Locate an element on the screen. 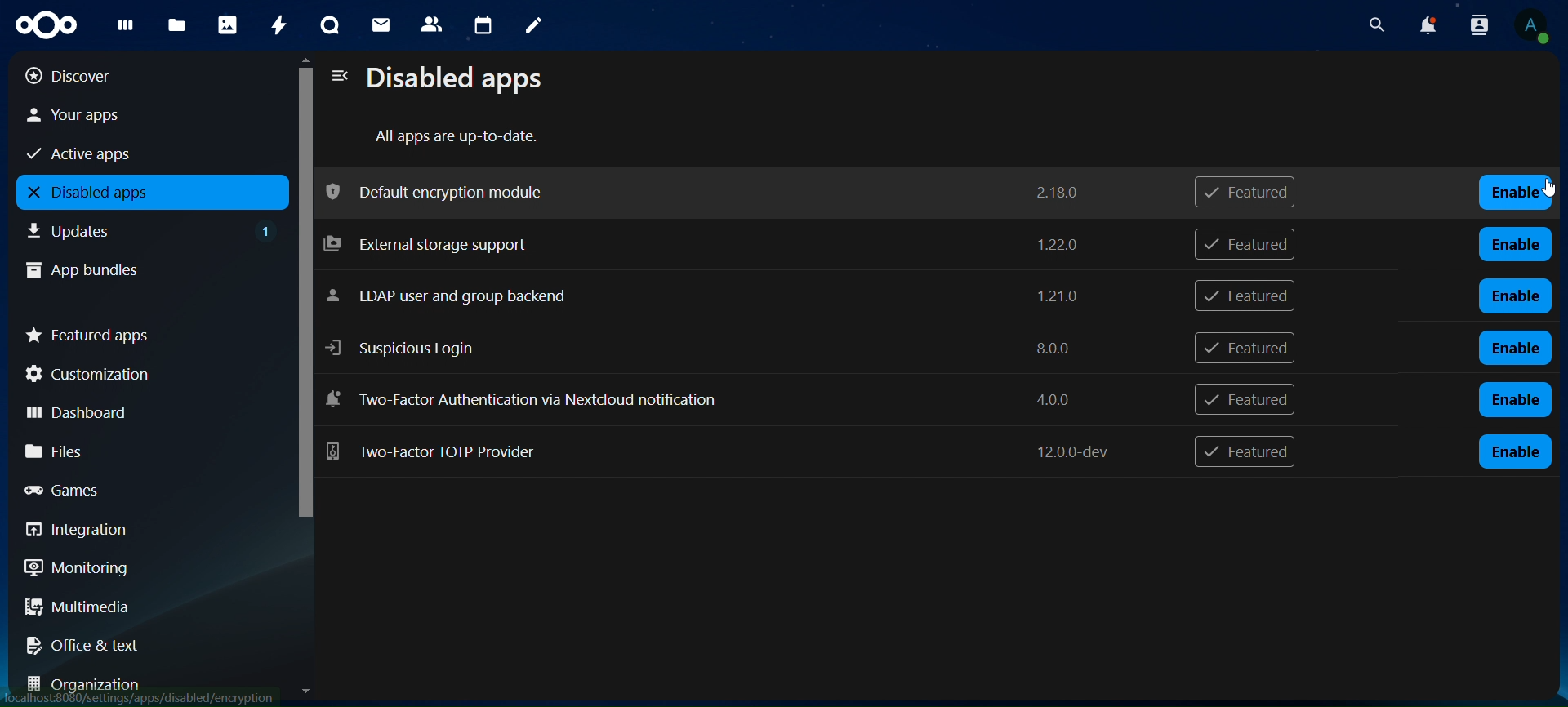  disabled apps is located at coordinates (148, 193).